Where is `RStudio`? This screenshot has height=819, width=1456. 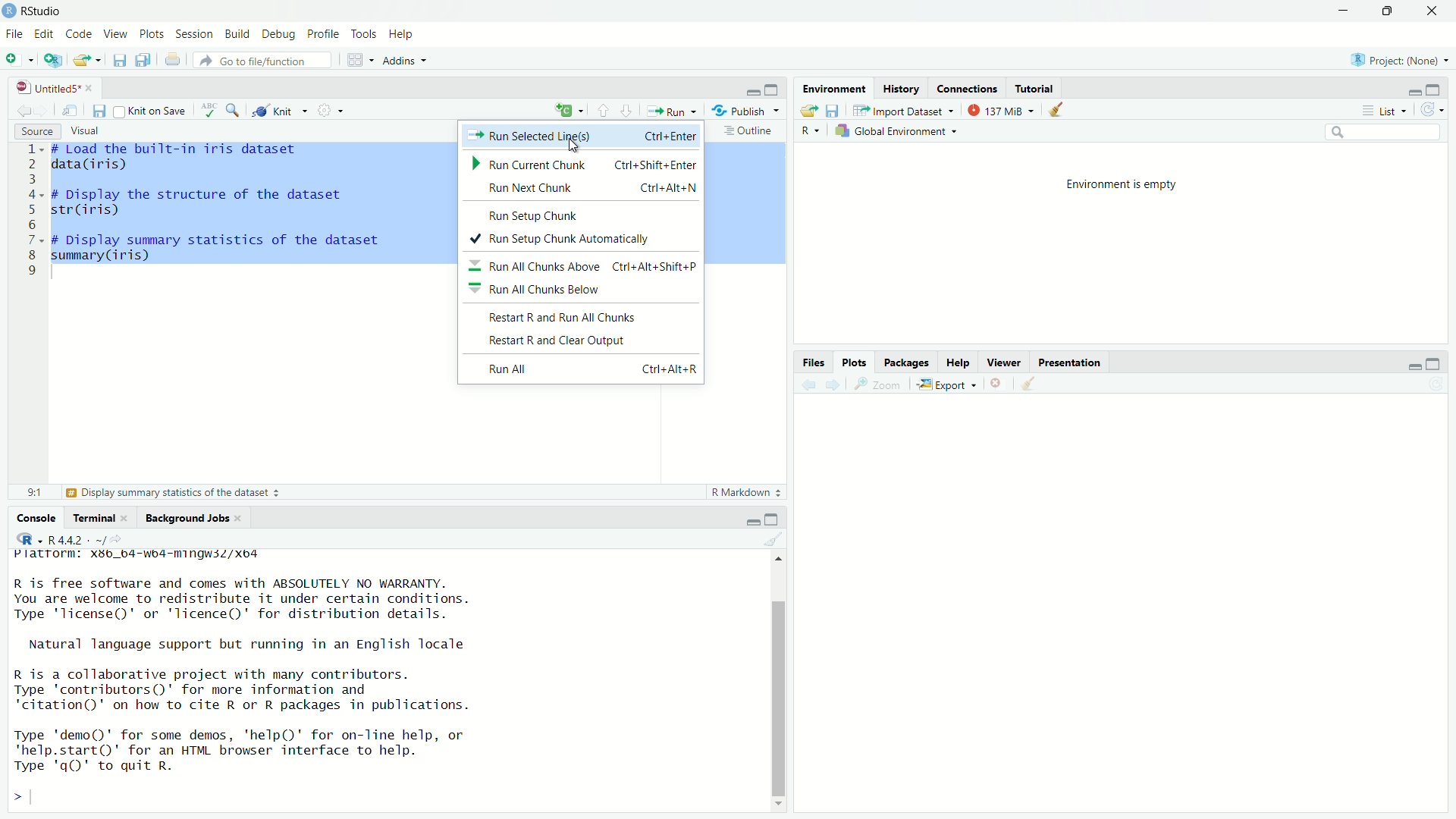
RStudio is located at coordinates (33, 11).